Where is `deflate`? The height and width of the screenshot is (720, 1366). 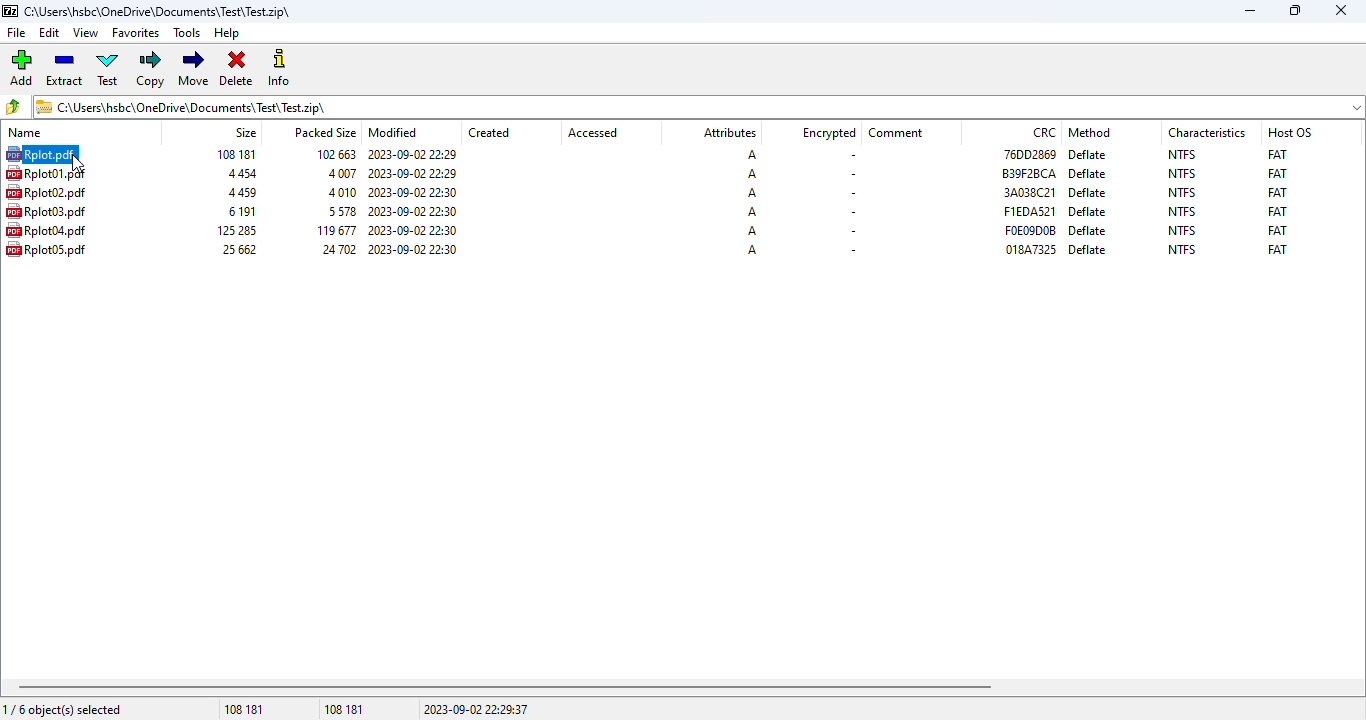 deflate is located at coordinates (1087, 212).